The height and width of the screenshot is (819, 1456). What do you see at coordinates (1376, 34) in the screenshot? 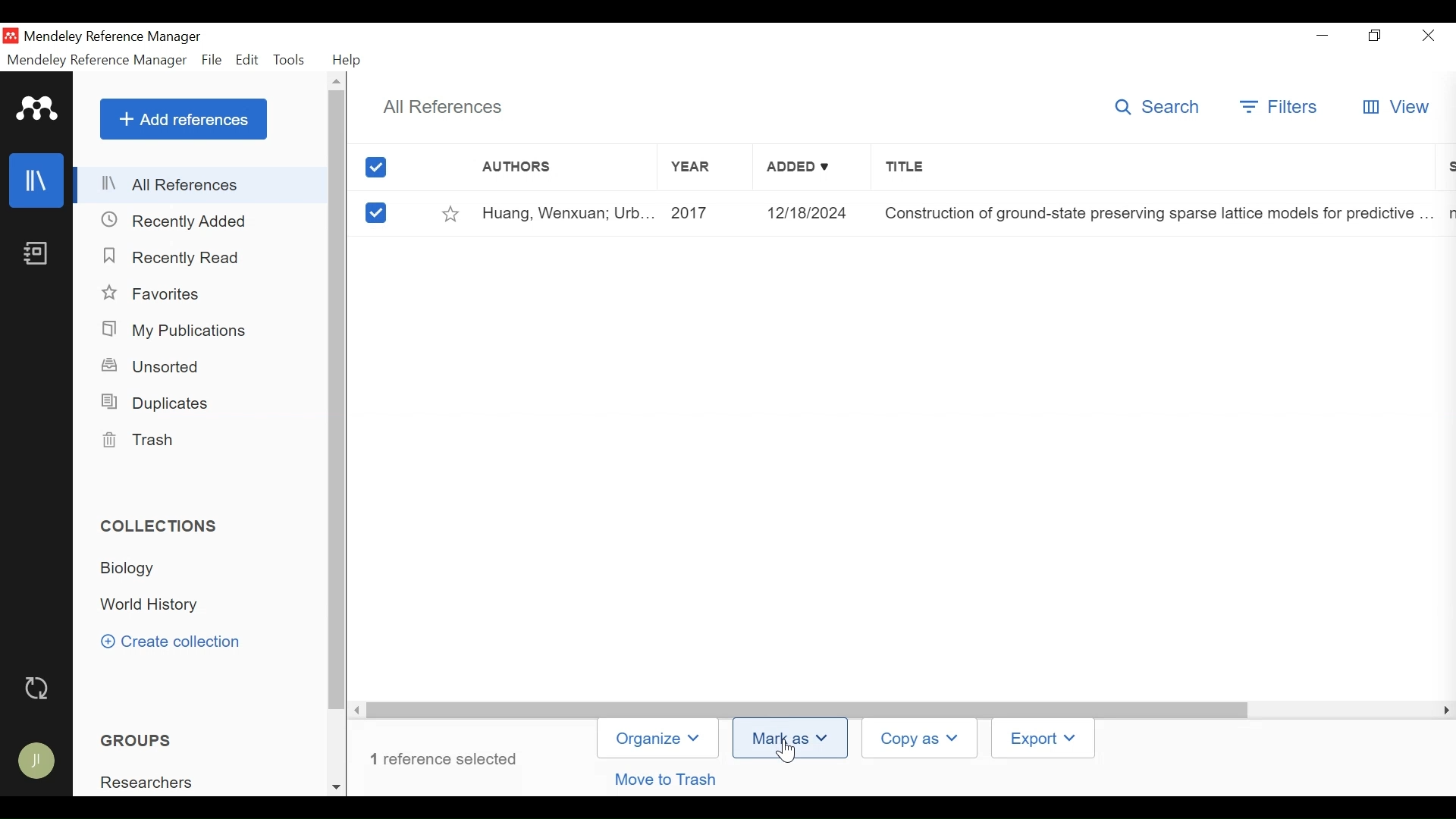
I see `Restore` at bounding box center [1376, 34].